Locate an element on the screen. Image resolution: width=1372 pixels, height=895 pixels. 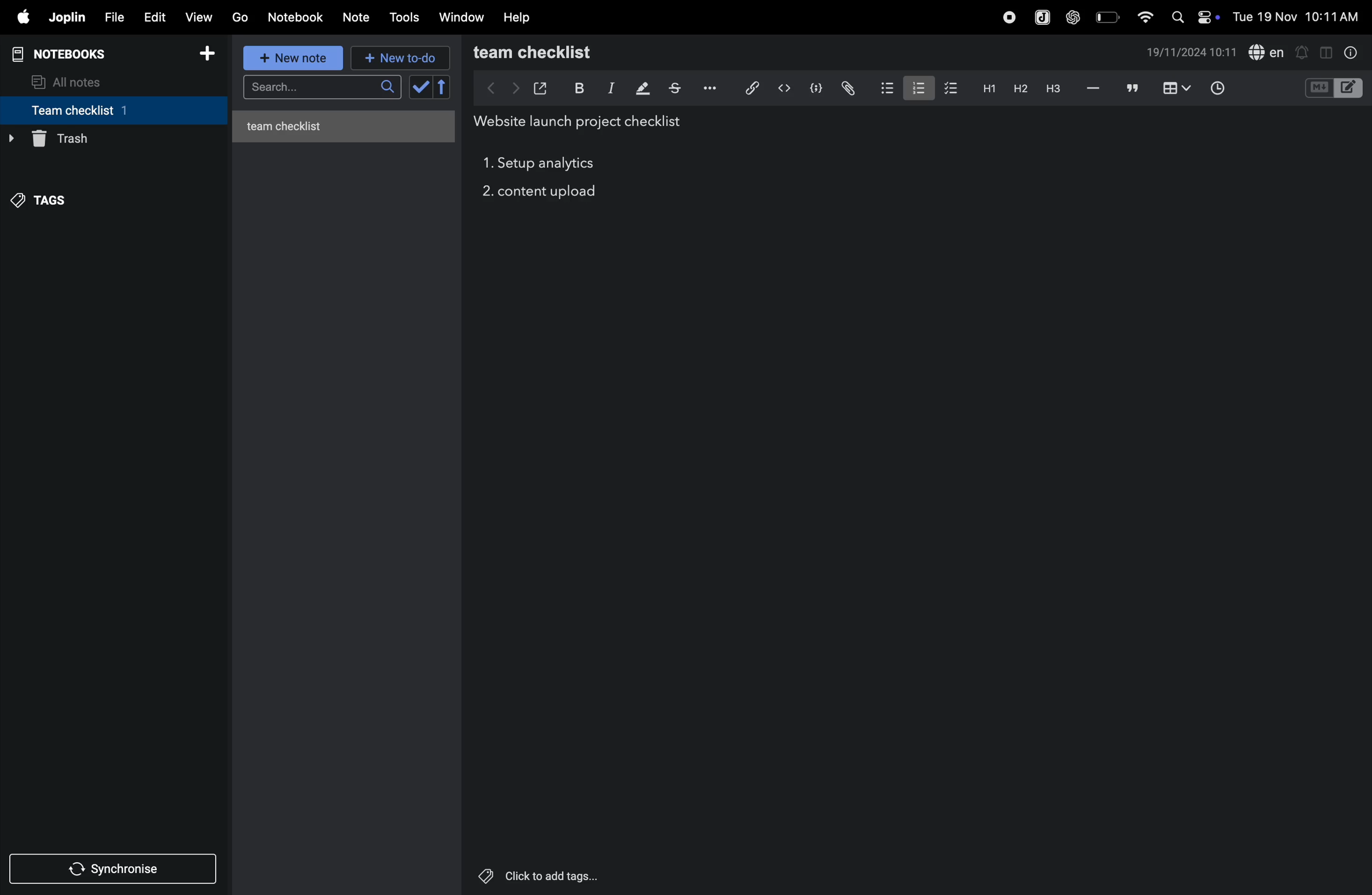
synchronize is located at coordinates (115, 868).